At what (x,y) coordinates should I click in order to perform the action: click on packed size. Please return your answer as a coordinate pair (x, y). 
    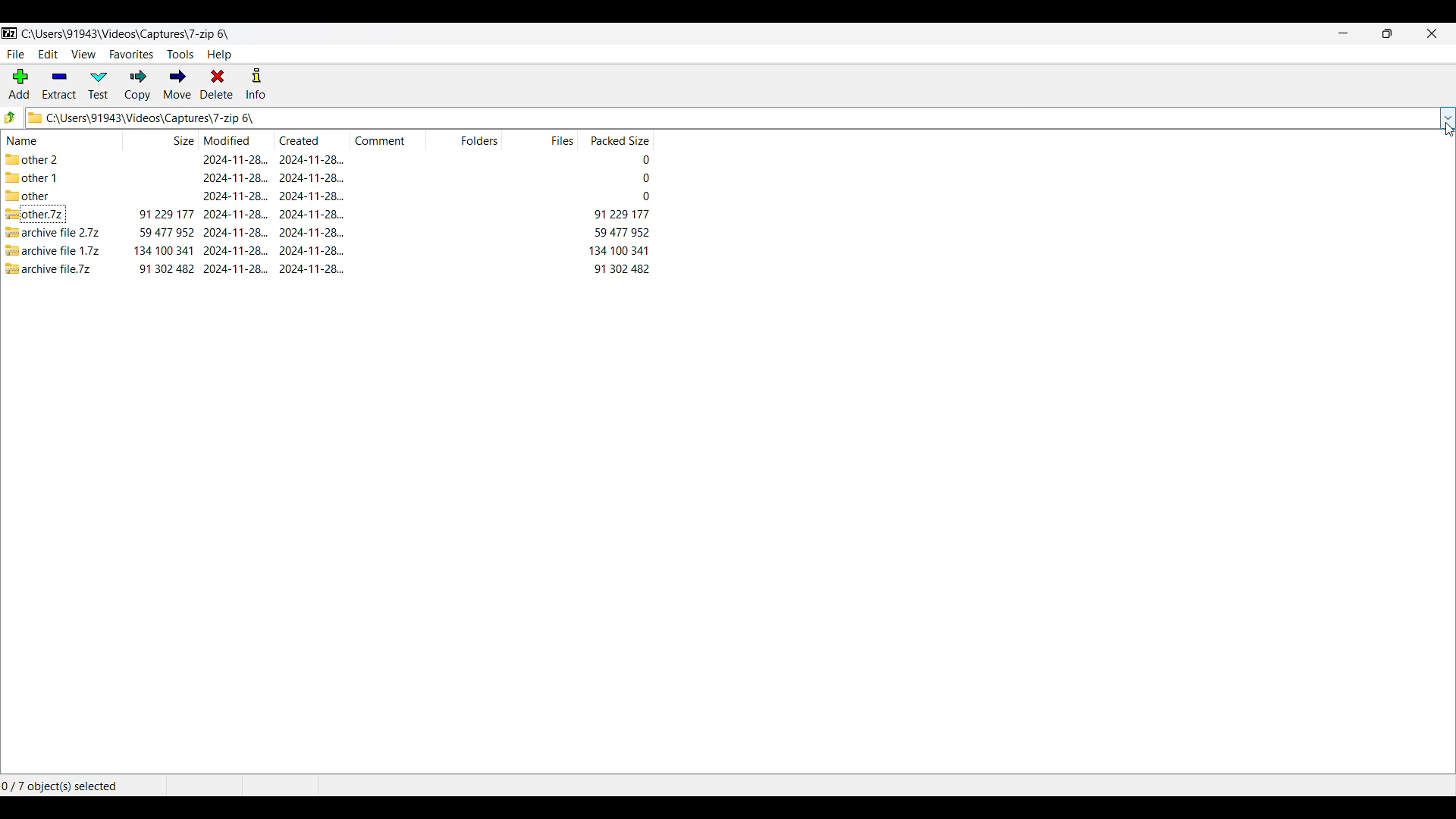
    Looking at the image, I should click on (621, 214).